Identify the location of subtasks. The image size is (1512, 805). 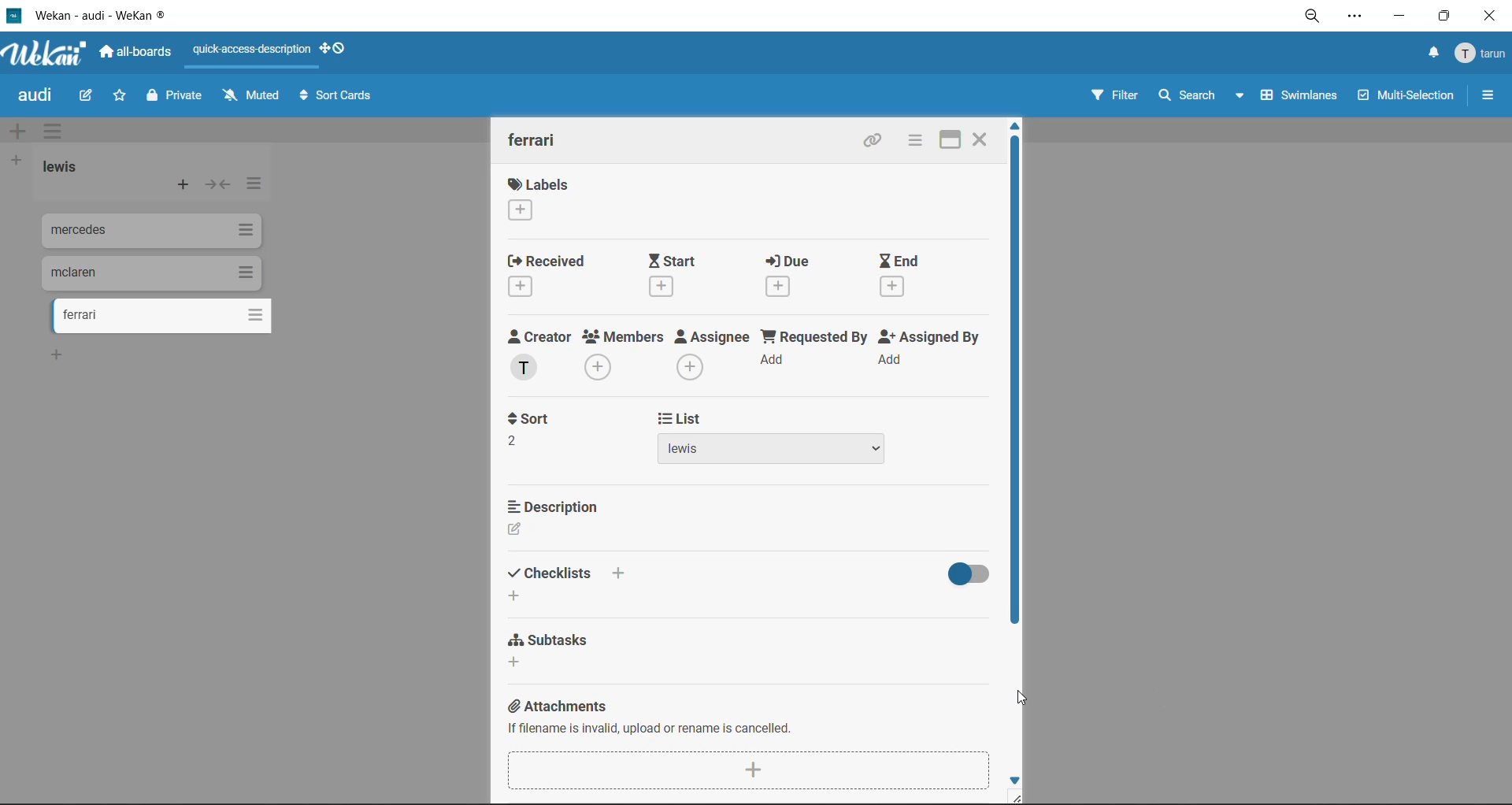
(550, 649).